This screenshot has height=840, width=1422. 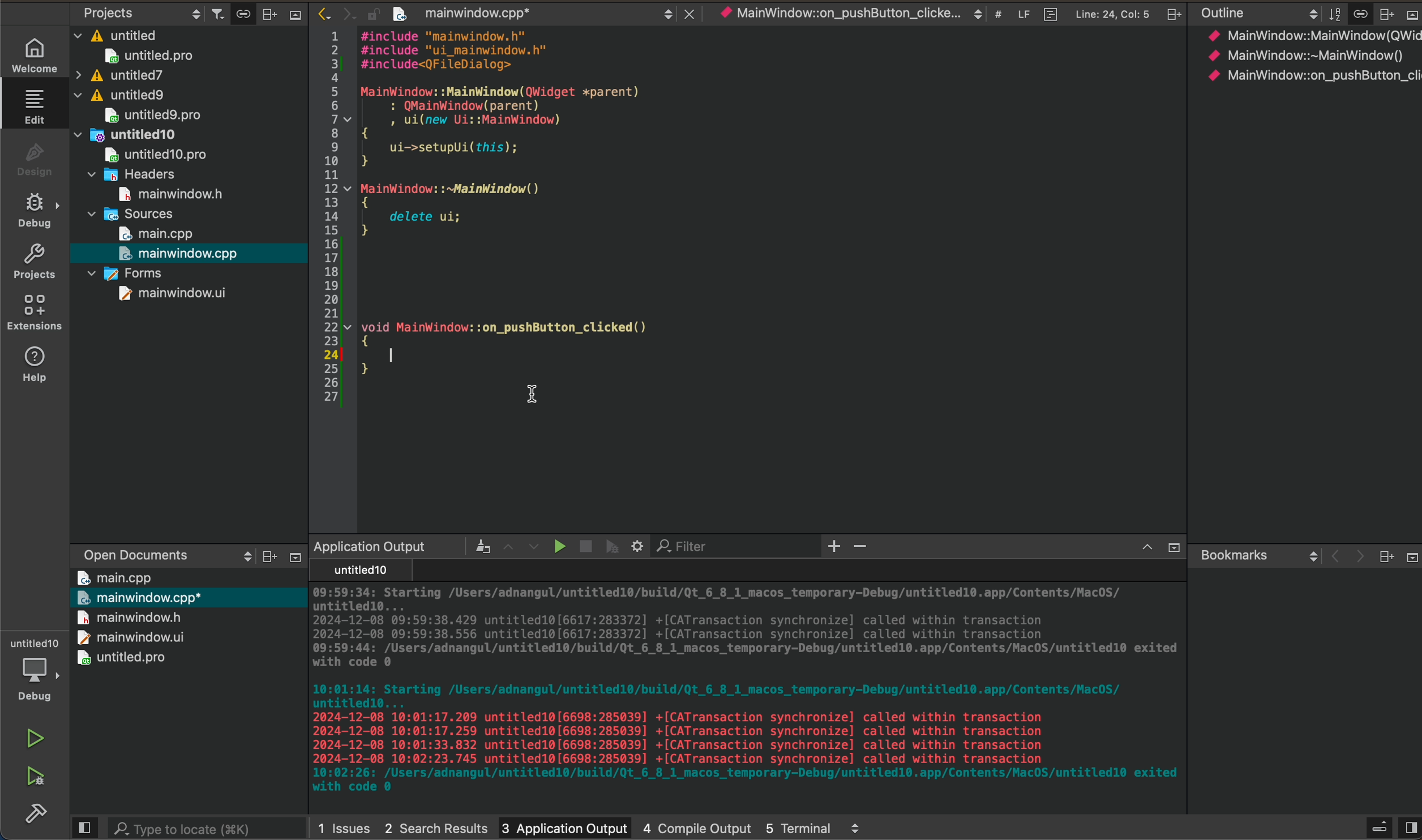 I want to click on untitled7, so click(x=119, y=75).